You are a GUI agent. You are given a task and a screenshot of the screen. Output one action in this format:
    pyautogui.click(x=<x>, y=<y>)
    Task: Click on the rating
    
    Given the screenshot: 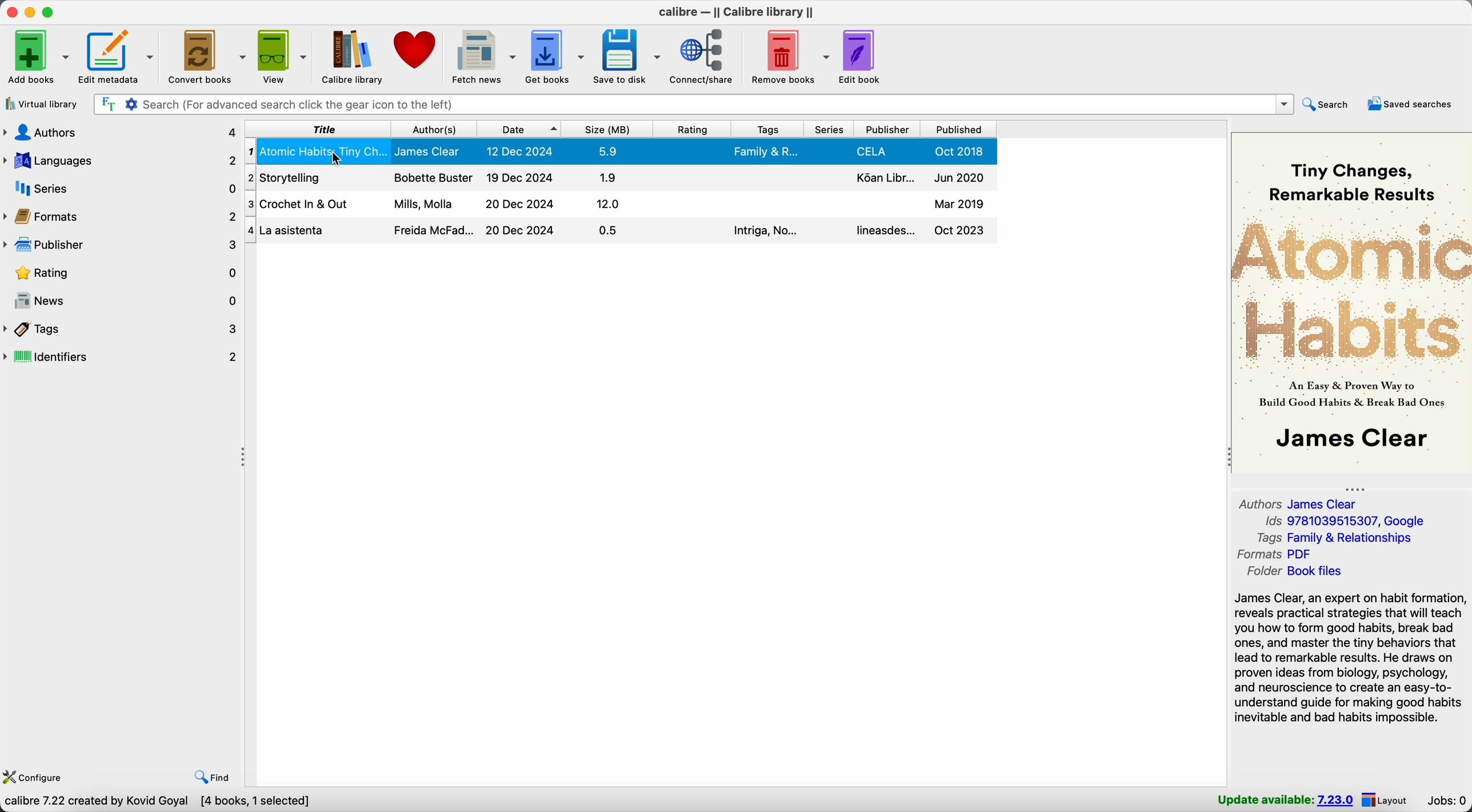 What is the action you would take?
    pyautogui.click(x=694, y=128)
    